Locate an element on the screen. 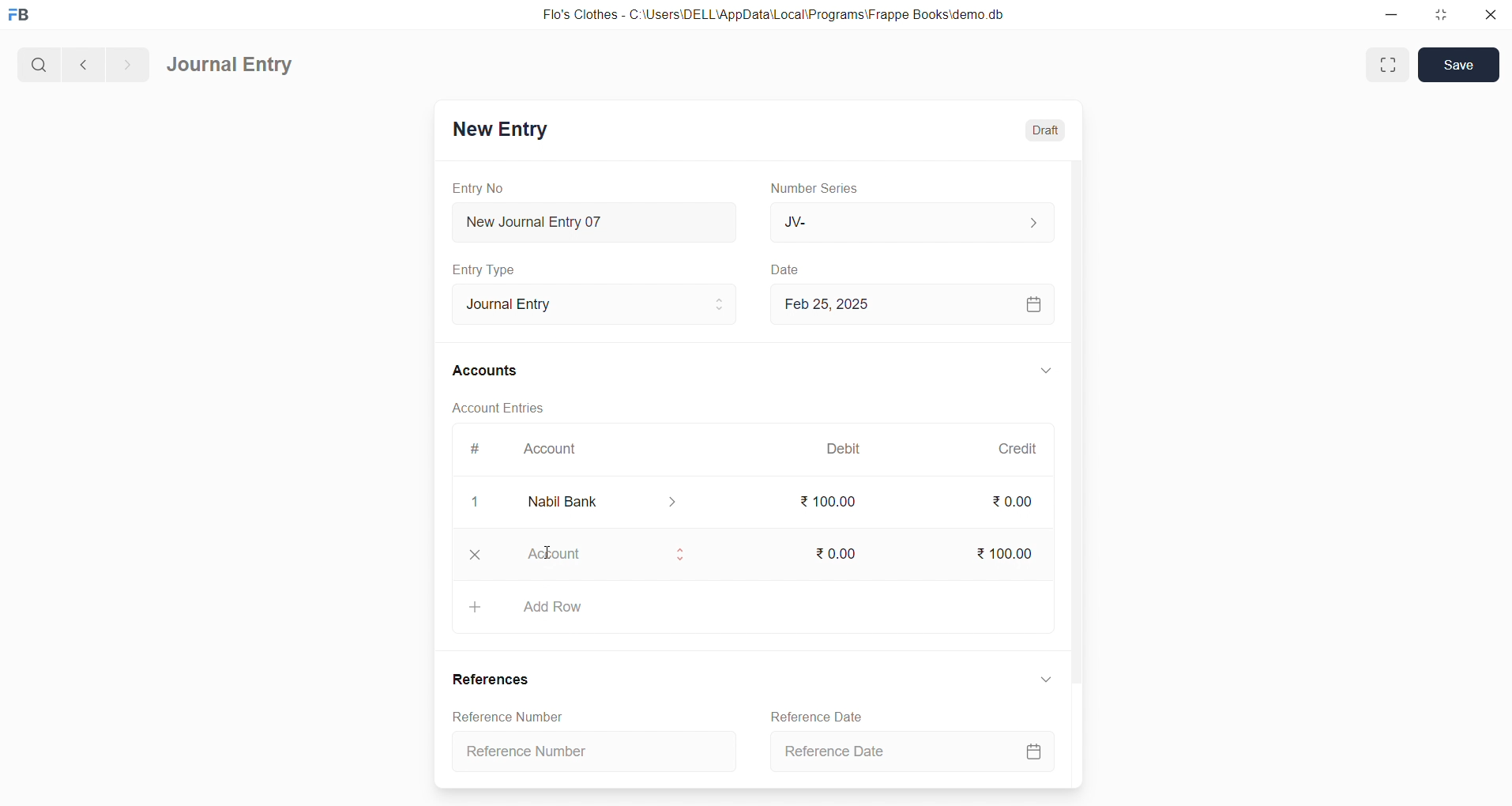  New Entry is located at coordinates (499, 129).